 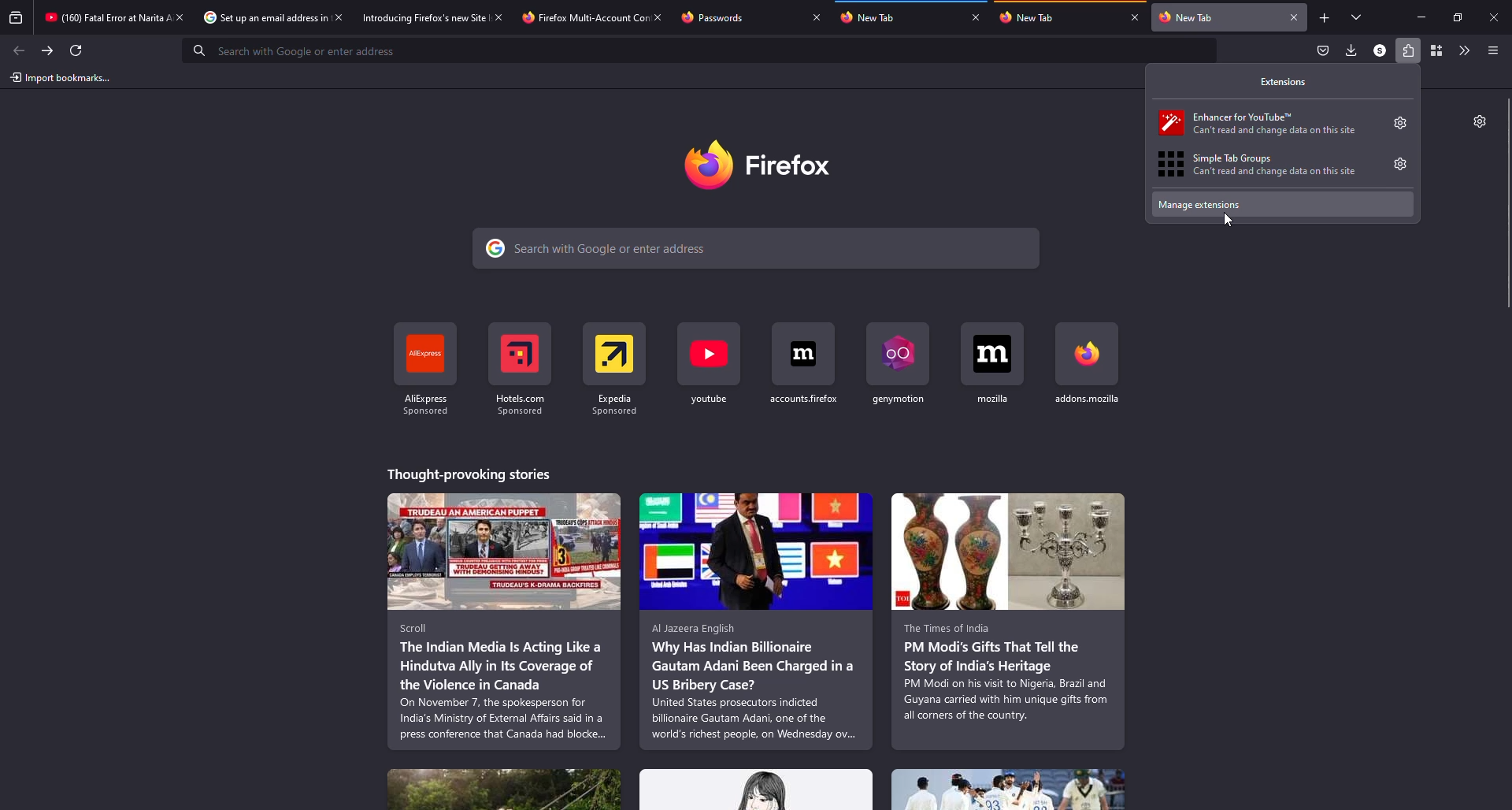 What do you see at coordinates (1358, 17) in the screenshot?
I see `tabs` at bounding box center [1358, 17].